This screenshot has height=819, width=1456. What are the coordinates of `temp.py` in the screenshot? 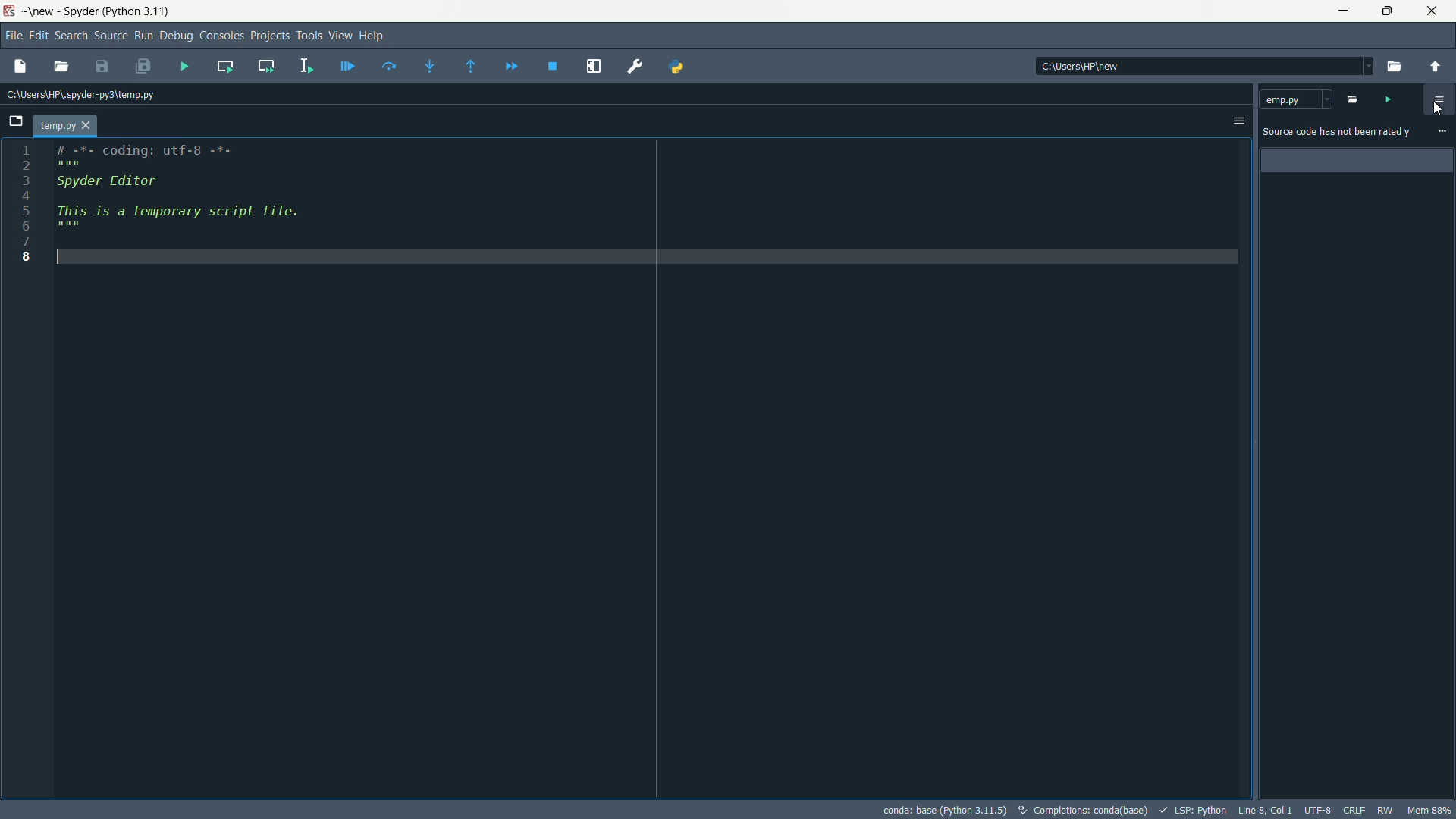 It's located at (1295, 99).